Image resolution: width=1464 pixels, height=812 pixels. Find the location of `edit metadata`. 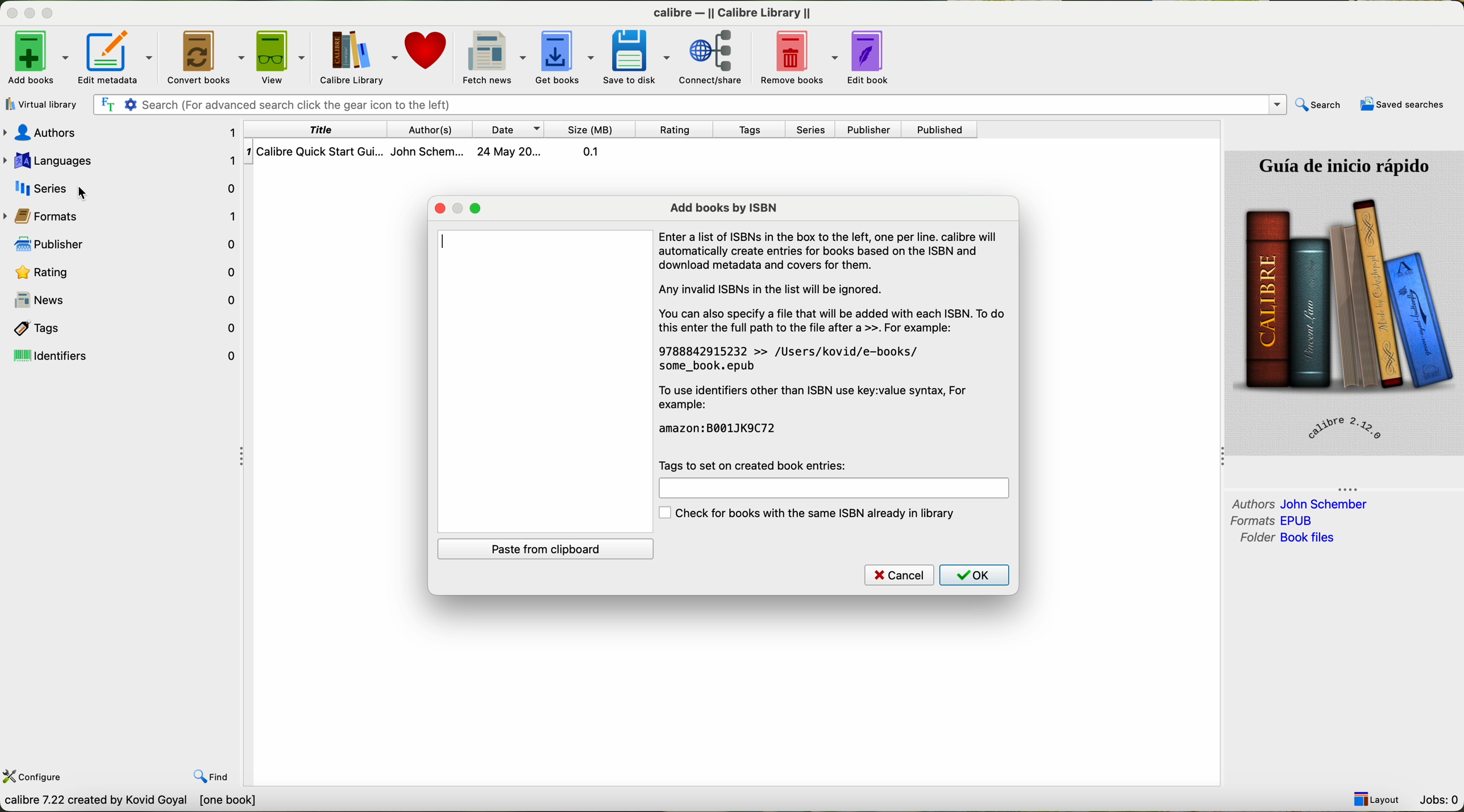

edit metadata is located at coordinates (120, 55).